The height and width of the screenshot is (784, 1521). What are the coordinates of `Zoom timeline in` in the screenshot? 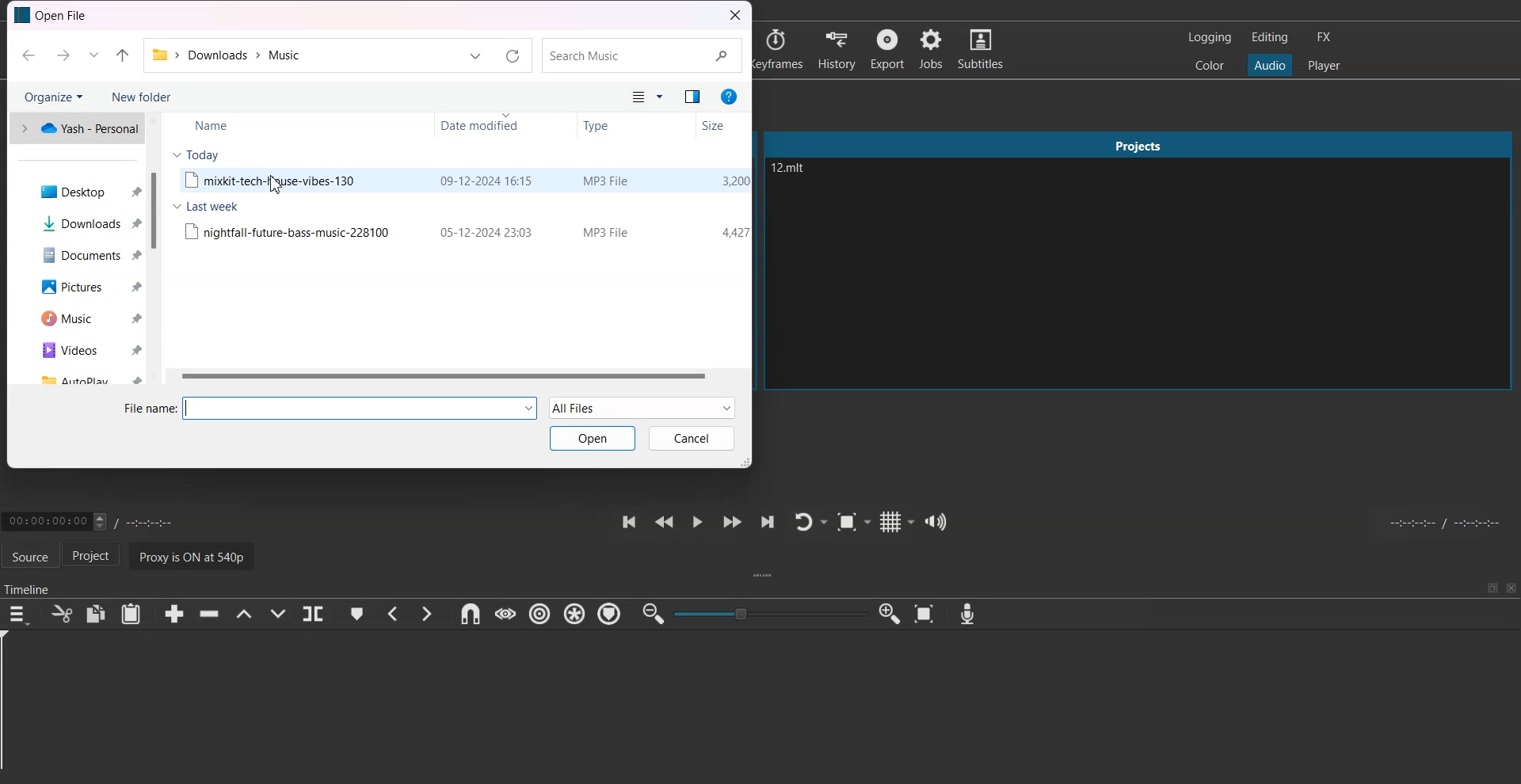 It's located at (890, 614).